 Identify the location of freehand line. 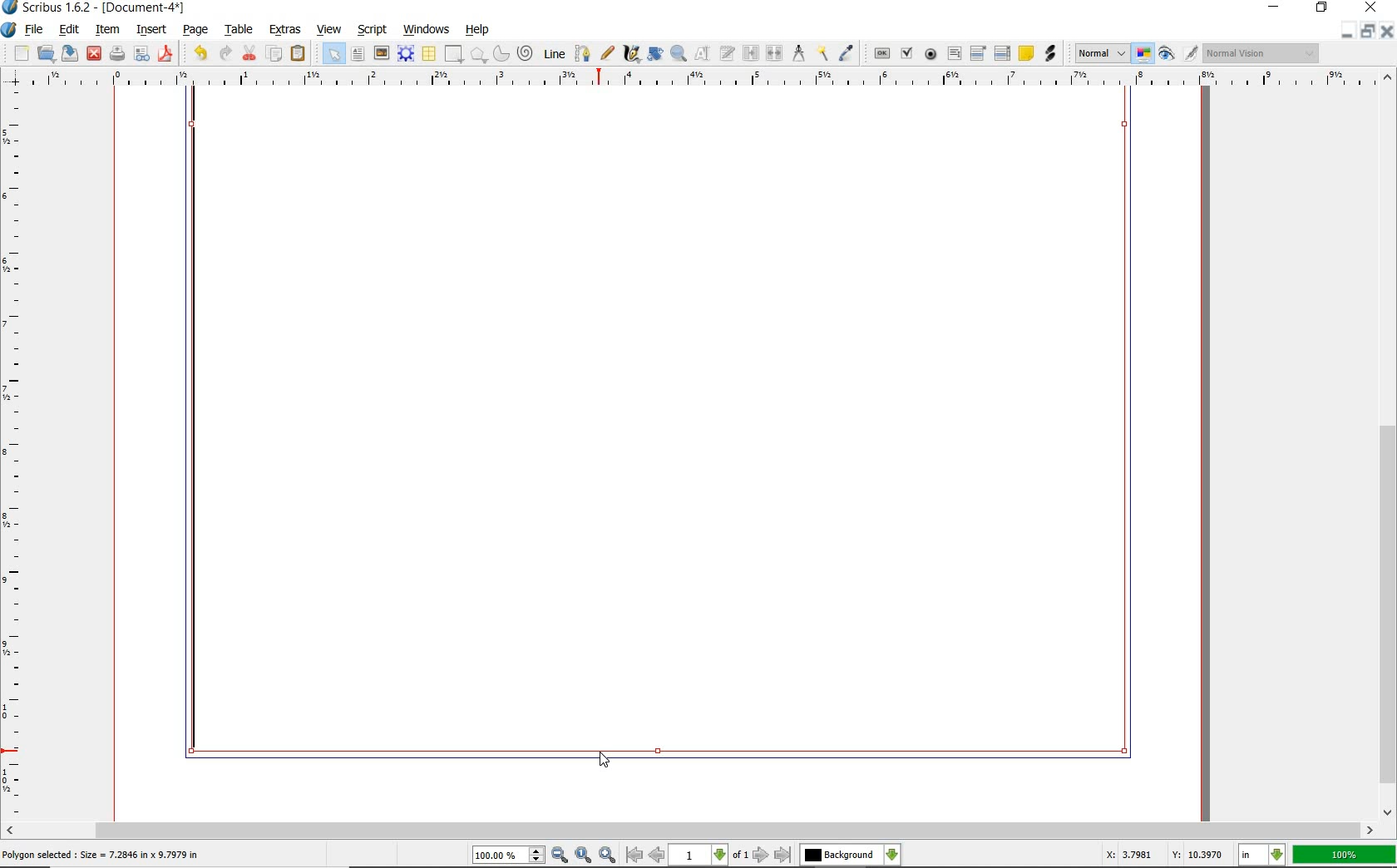
(609, 54).